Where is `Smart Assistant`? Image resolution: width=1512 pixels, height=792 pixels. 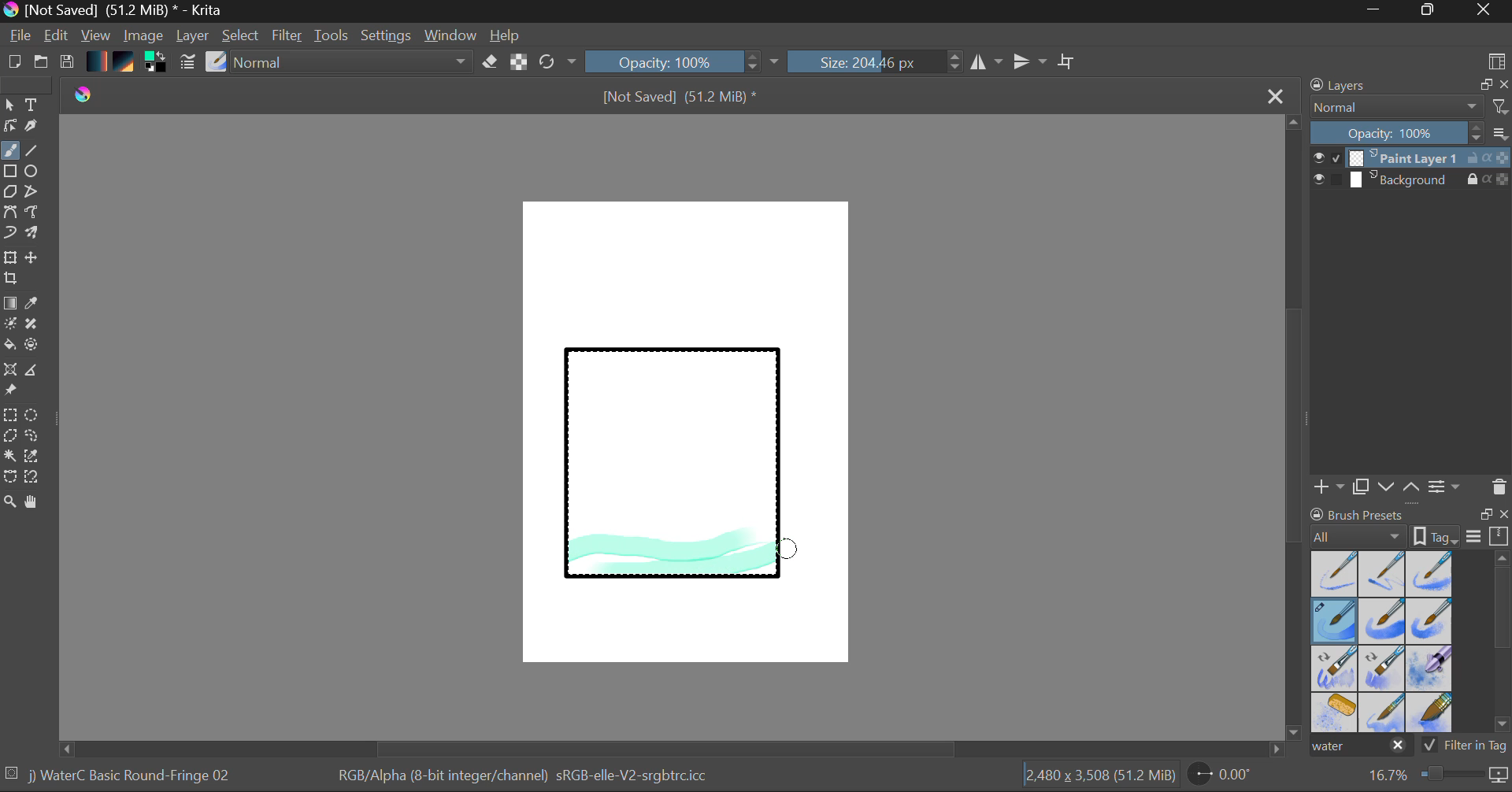 Smart Assistant is located at coordinates (9, 372).